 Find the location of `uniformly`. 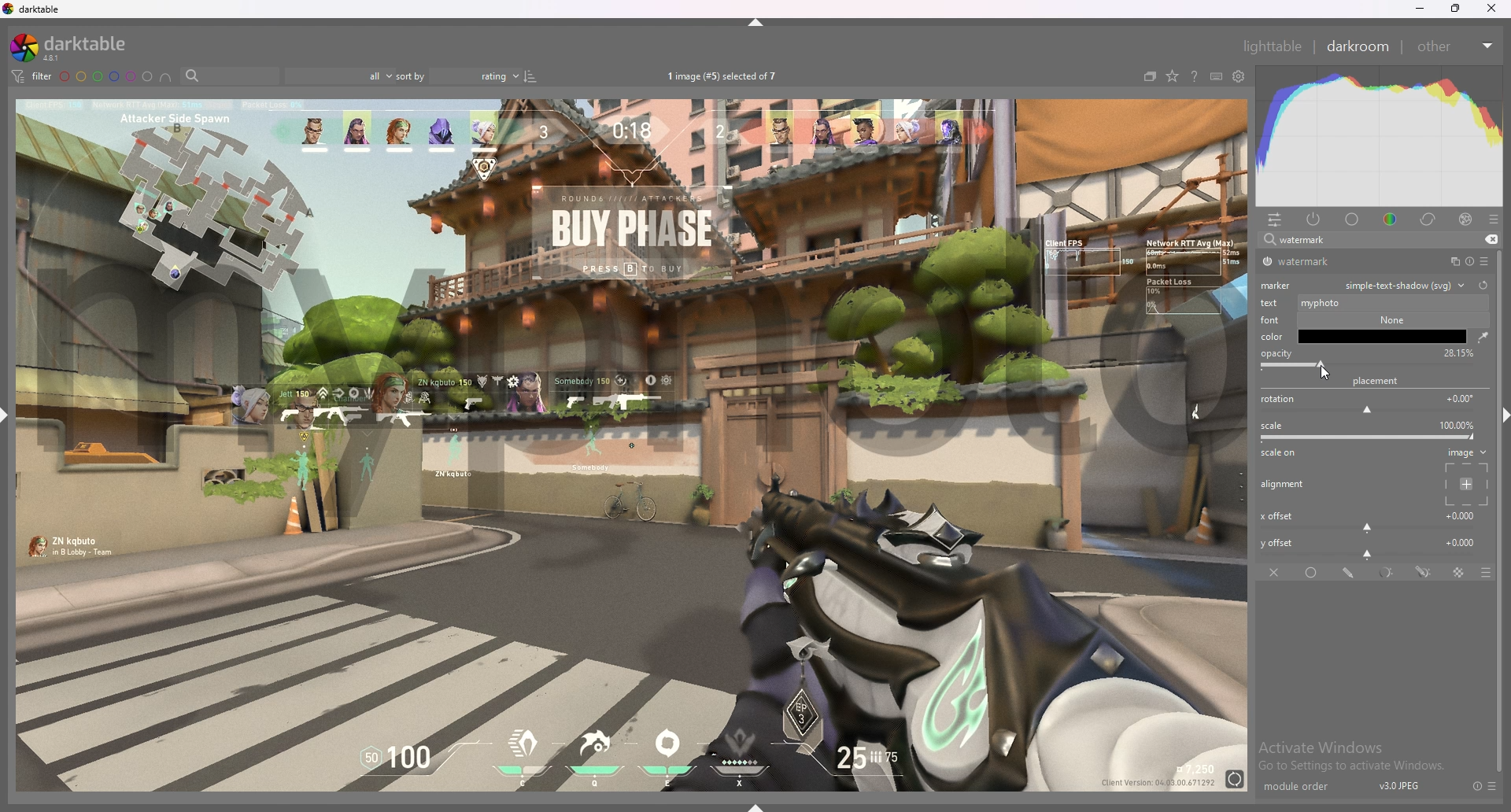

uniformly is located at coordinates (1313, 573).